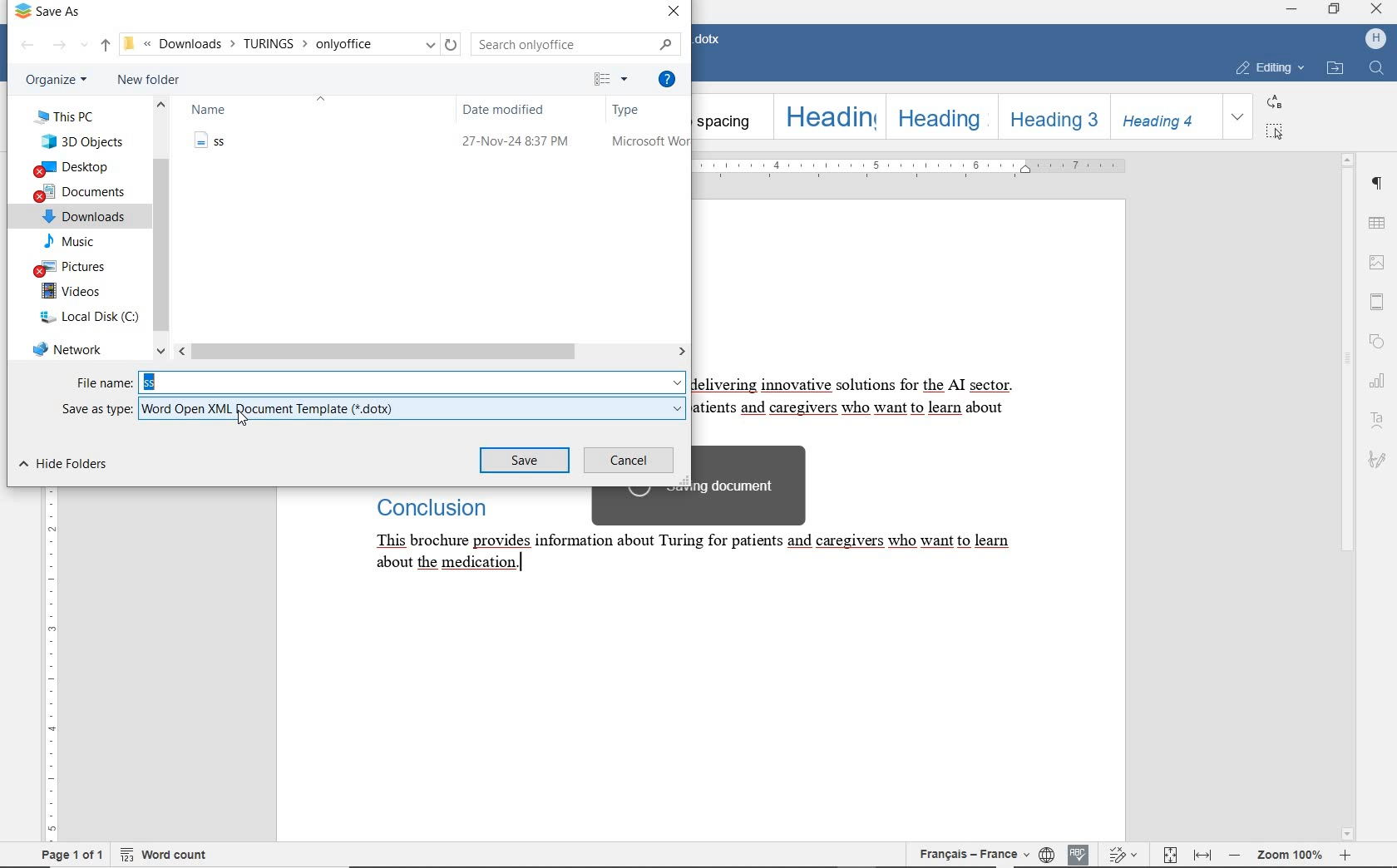 Image resolution: width=1397 pixels, height=868 pixels. Describe the element at coordinates (1379, 185) in the screenshot. I see `PARAGRAPH SETTINGS` at that location.